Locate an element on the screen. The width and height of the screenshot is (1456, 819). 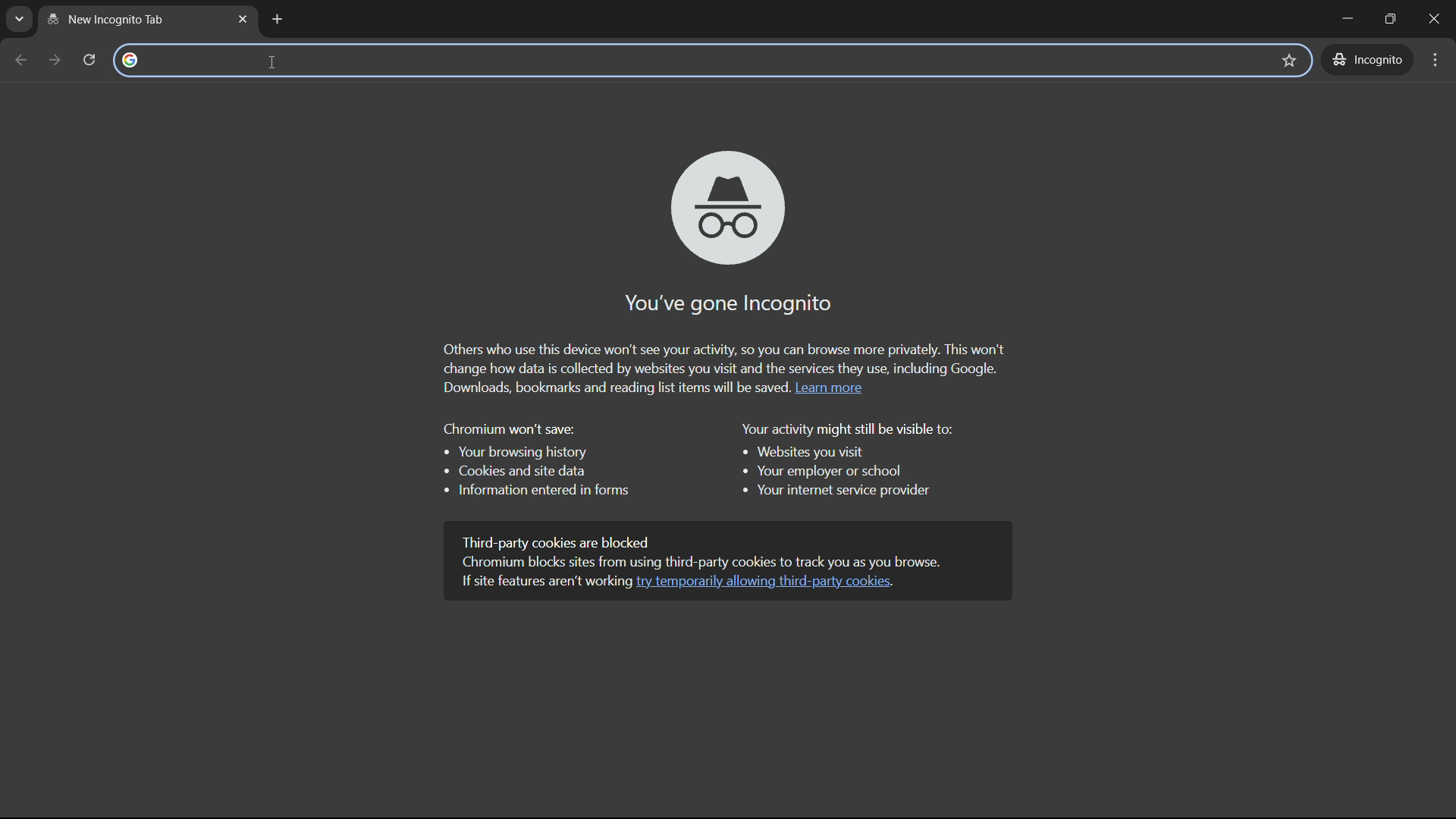
reload is located at coordinates (88, 58).